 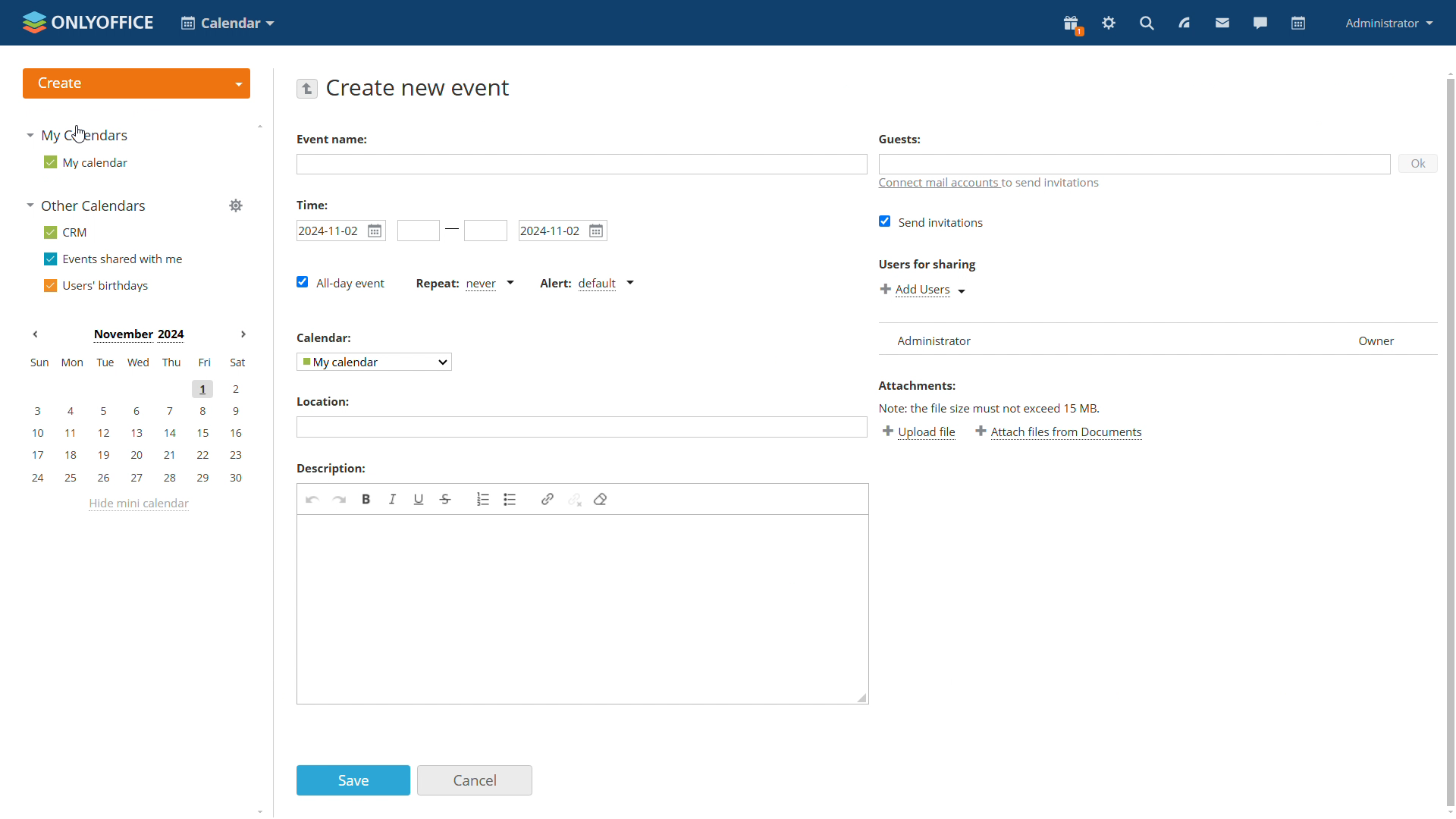 What do you see at coordinates (308, 89) in the screenshot?
I see `go back` at bounding box center [308, 89].